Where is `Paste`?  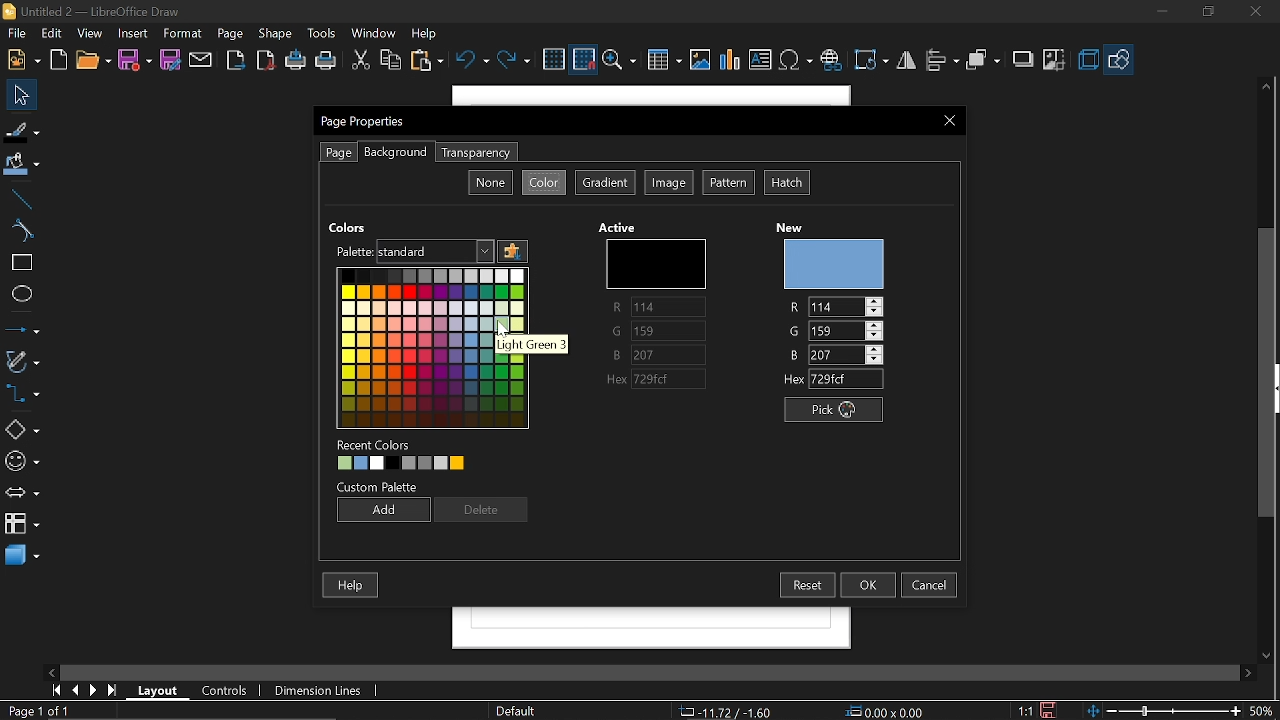 Paste is located at coordinates (426, 60).